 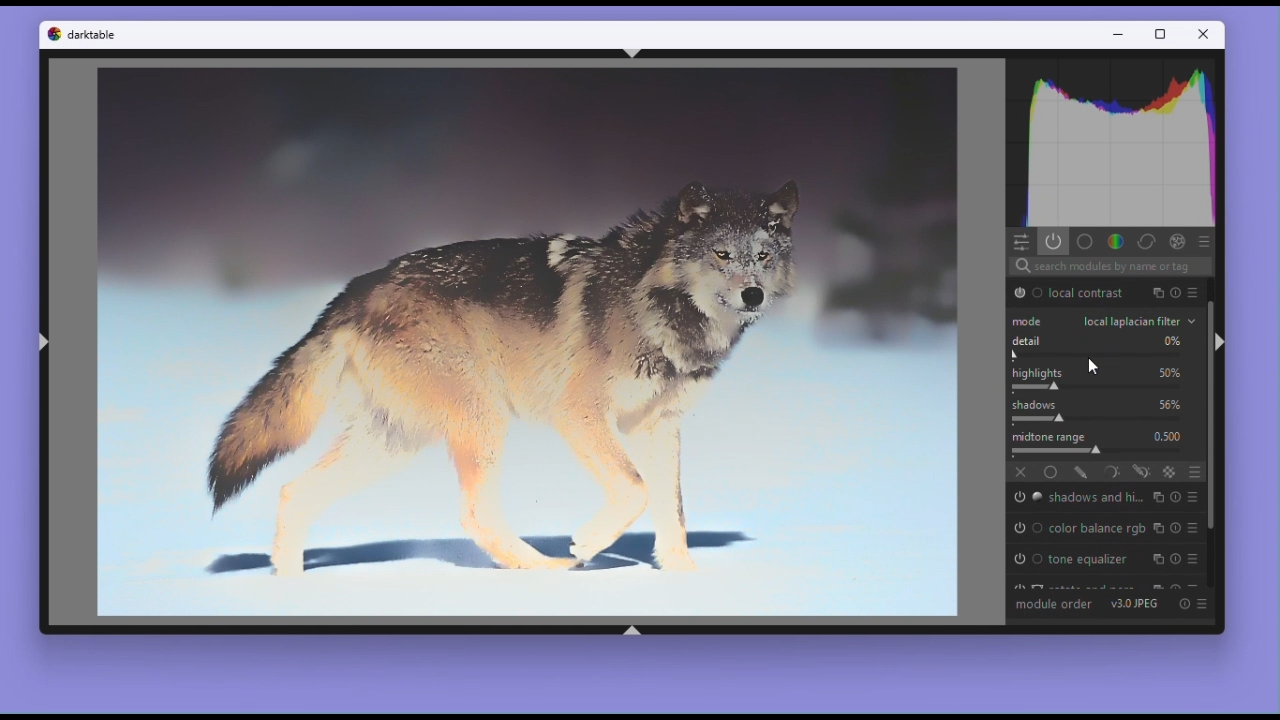 I want to click on Show active modules only, so click(x=1054, y=242).